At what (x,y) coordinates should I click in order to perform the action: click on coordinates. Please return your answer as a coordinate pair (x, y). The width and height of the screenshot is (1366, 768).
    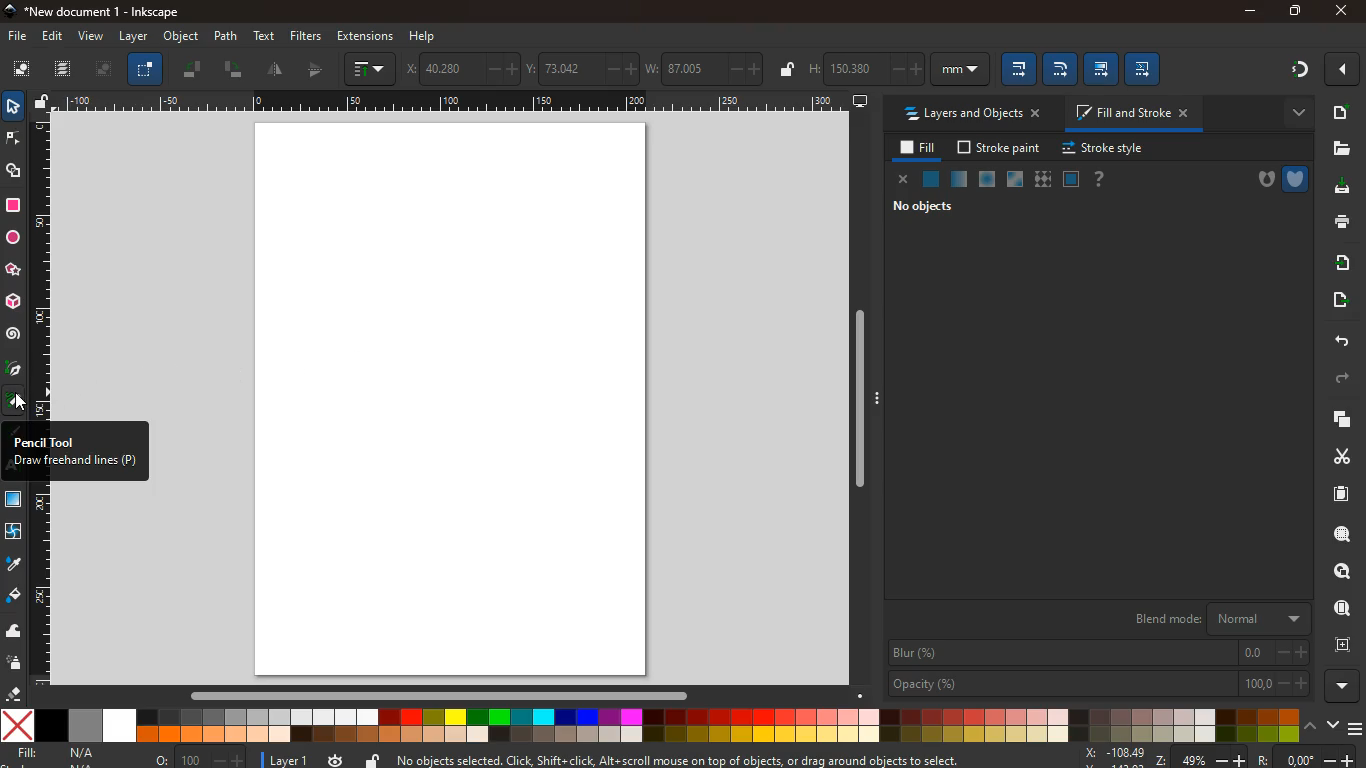
    Looking at the image, I should click on (582, 69).